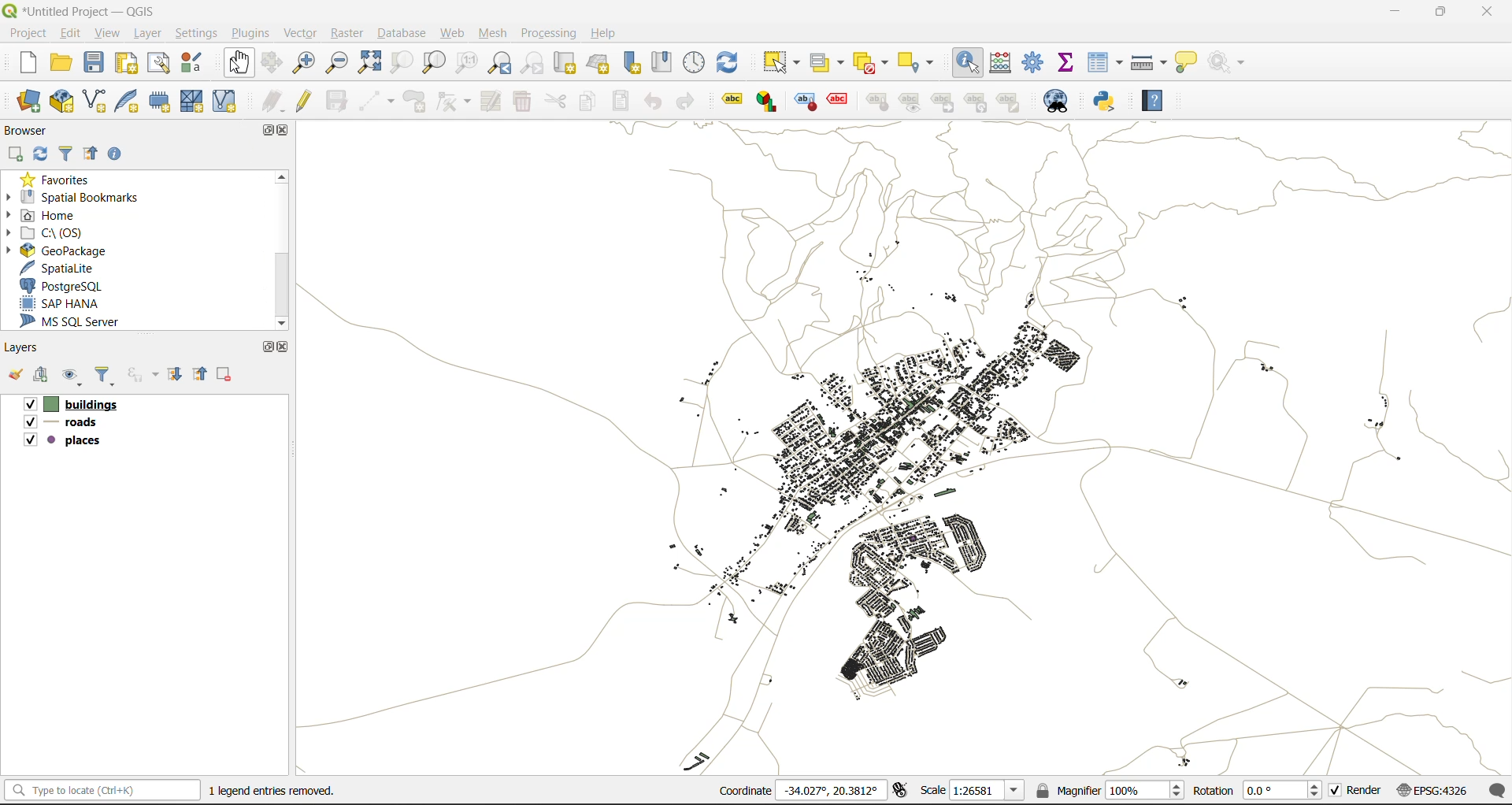 Image resolution: width=1512 pixels, height=805 pixels. I want to click on metadata, so click(270, 793).